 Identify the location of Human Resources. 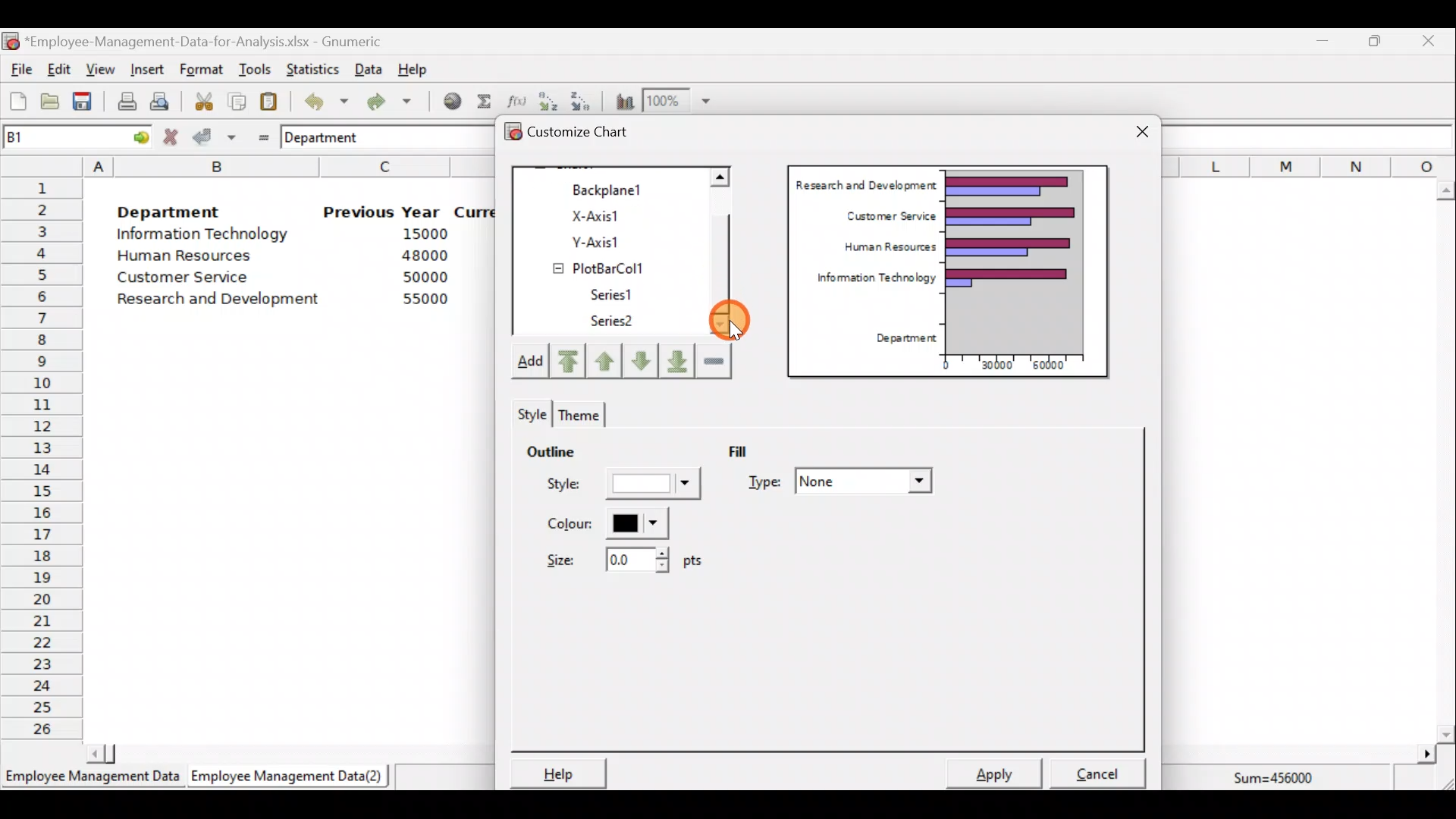
(192, 257).